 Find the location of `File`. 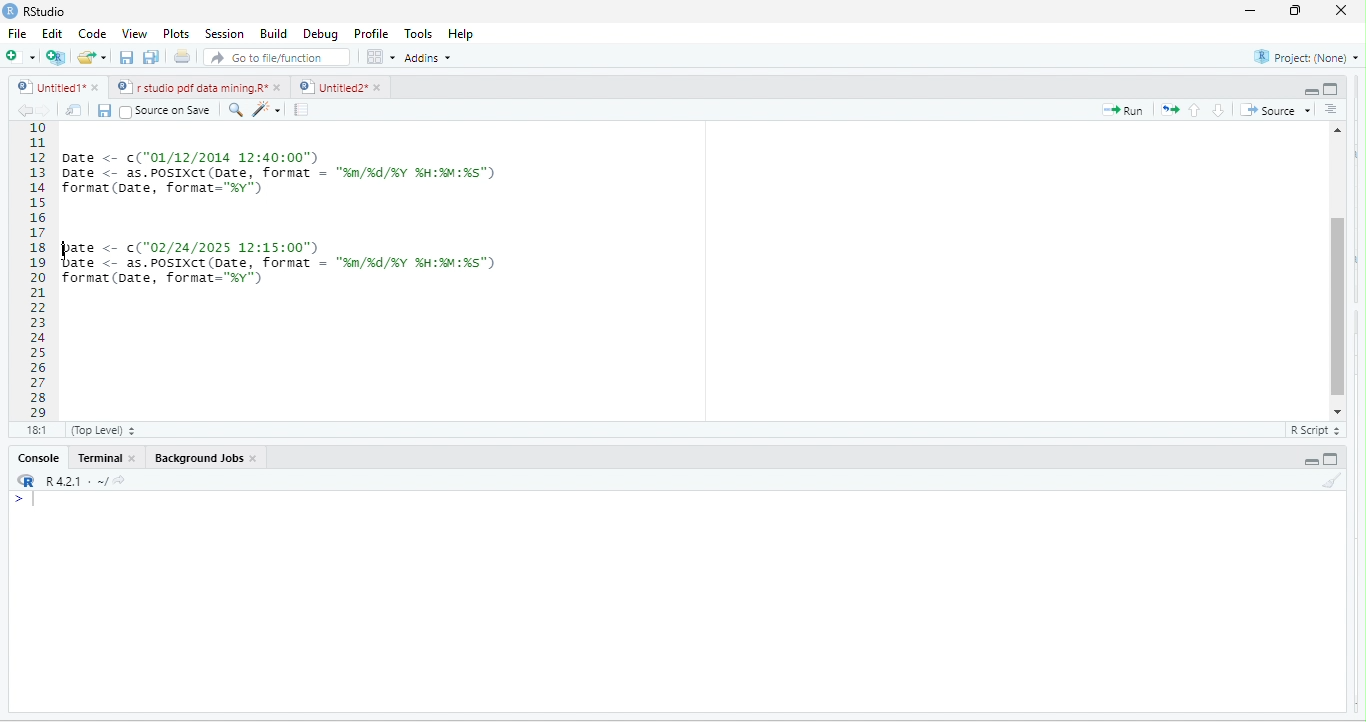

File is located at coordinates (16, 35).